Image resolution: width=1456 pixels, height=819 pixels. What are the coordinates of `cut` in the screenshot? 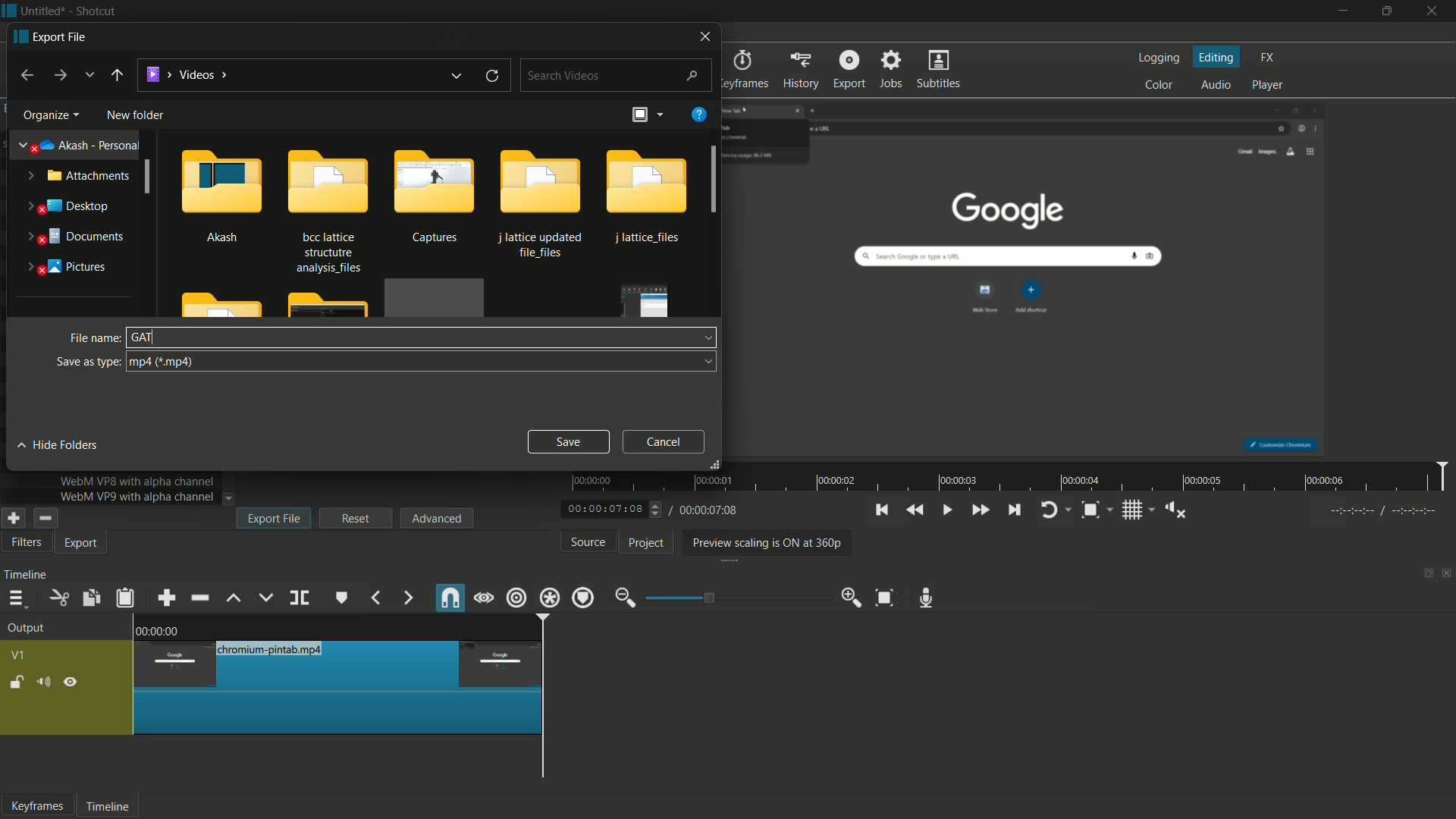 It's located at (58, 599).